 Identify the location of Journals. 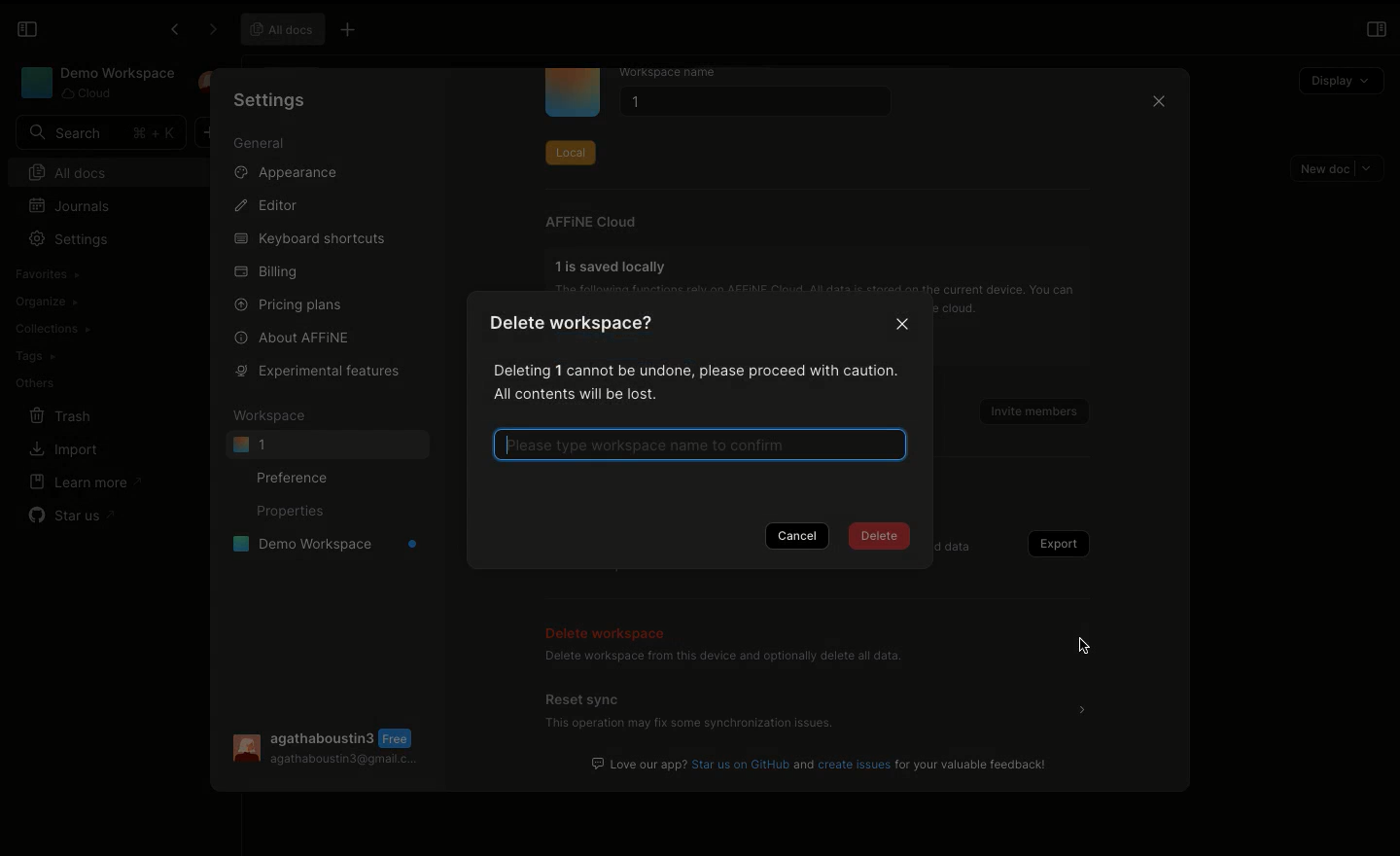
(71, 206).